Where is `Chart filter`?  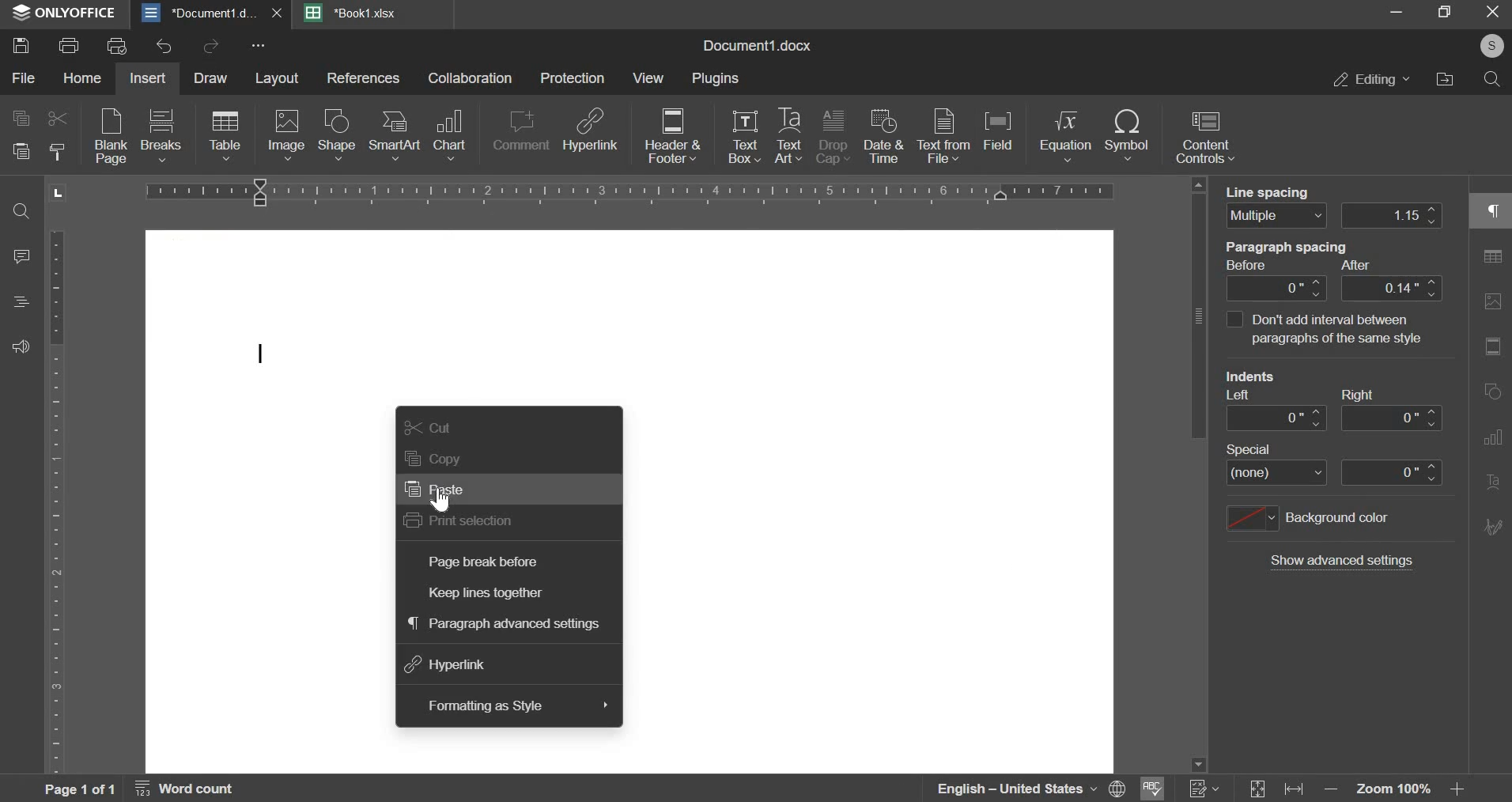 Chart filter is located at coordinates (1492, 572).